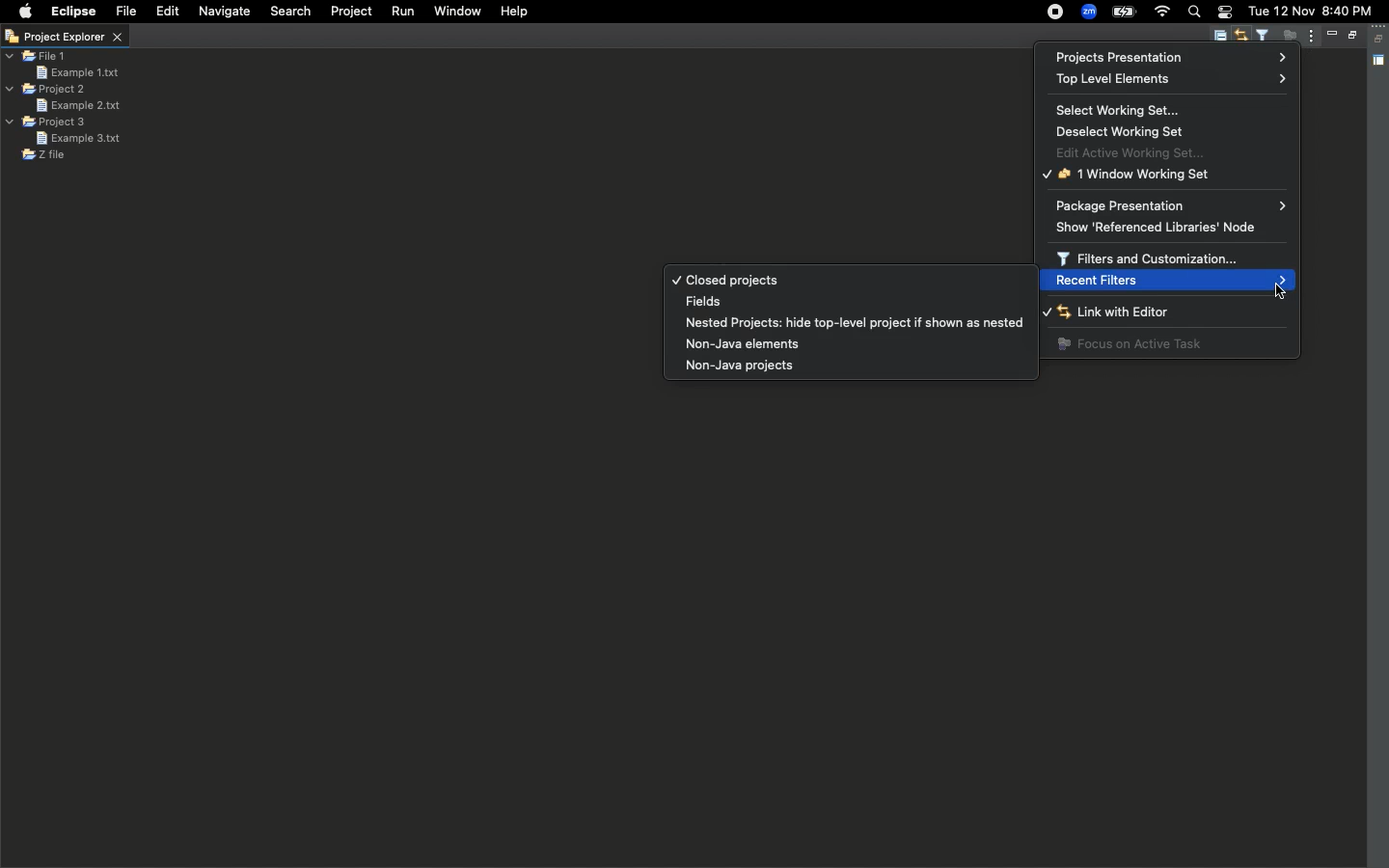  What do you see at coordinates (1309, 37) in the screenshot?
I see `View menu` at bounding box center [1309, 37].